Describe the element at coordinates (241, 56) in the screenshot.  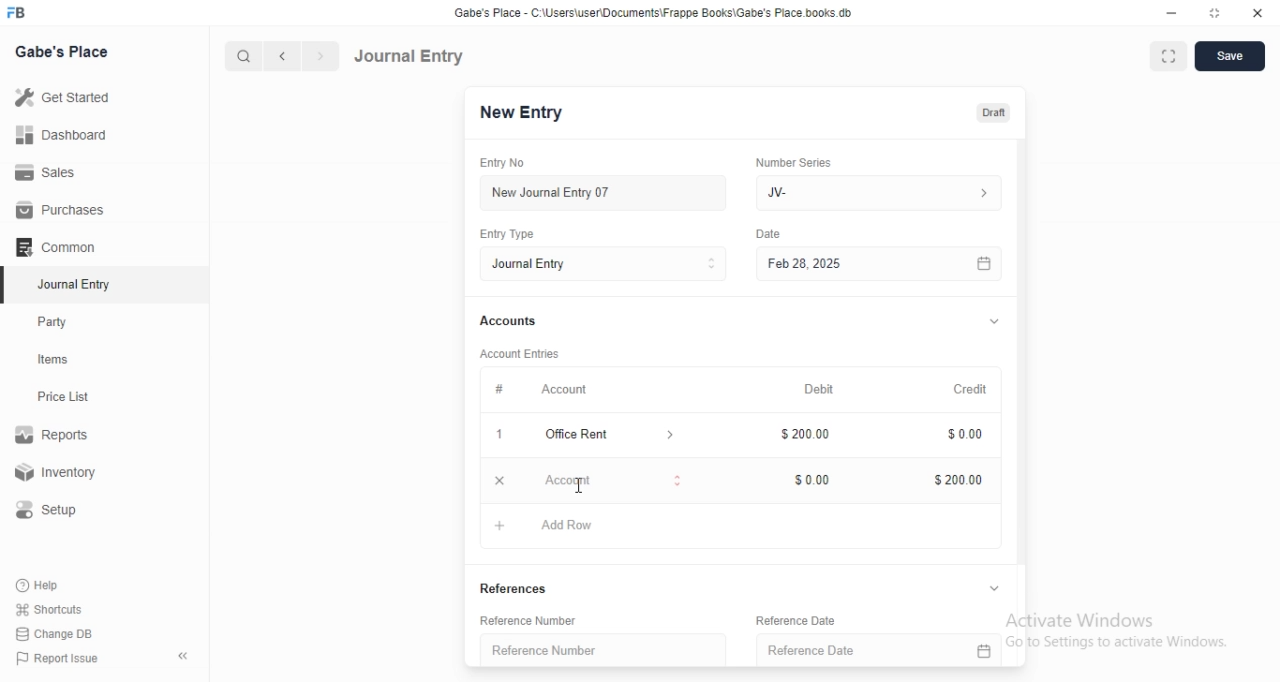
I see `search` at that location.